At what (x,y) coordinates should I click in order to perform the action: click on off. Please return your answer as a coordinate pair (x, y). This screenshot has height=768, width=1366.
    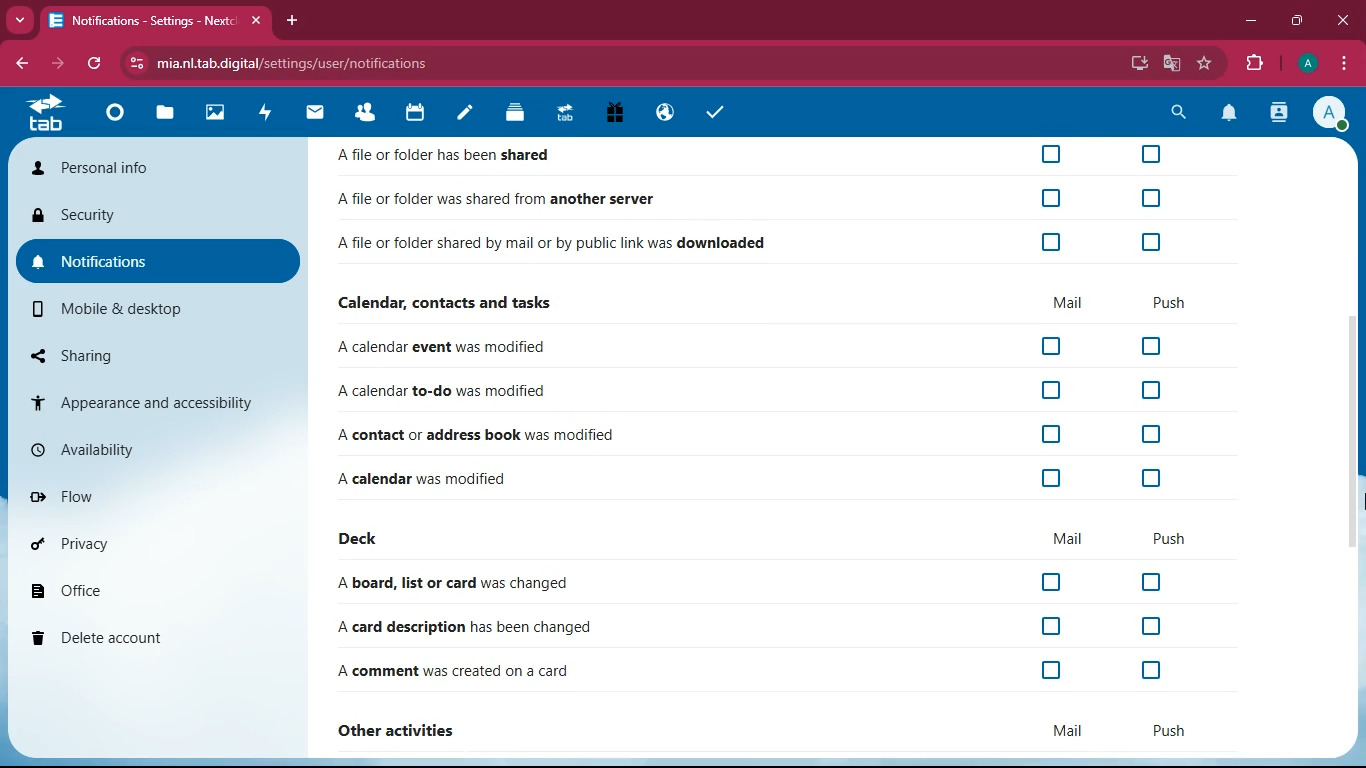
    Looking at the image, I should click on (1151, 433).